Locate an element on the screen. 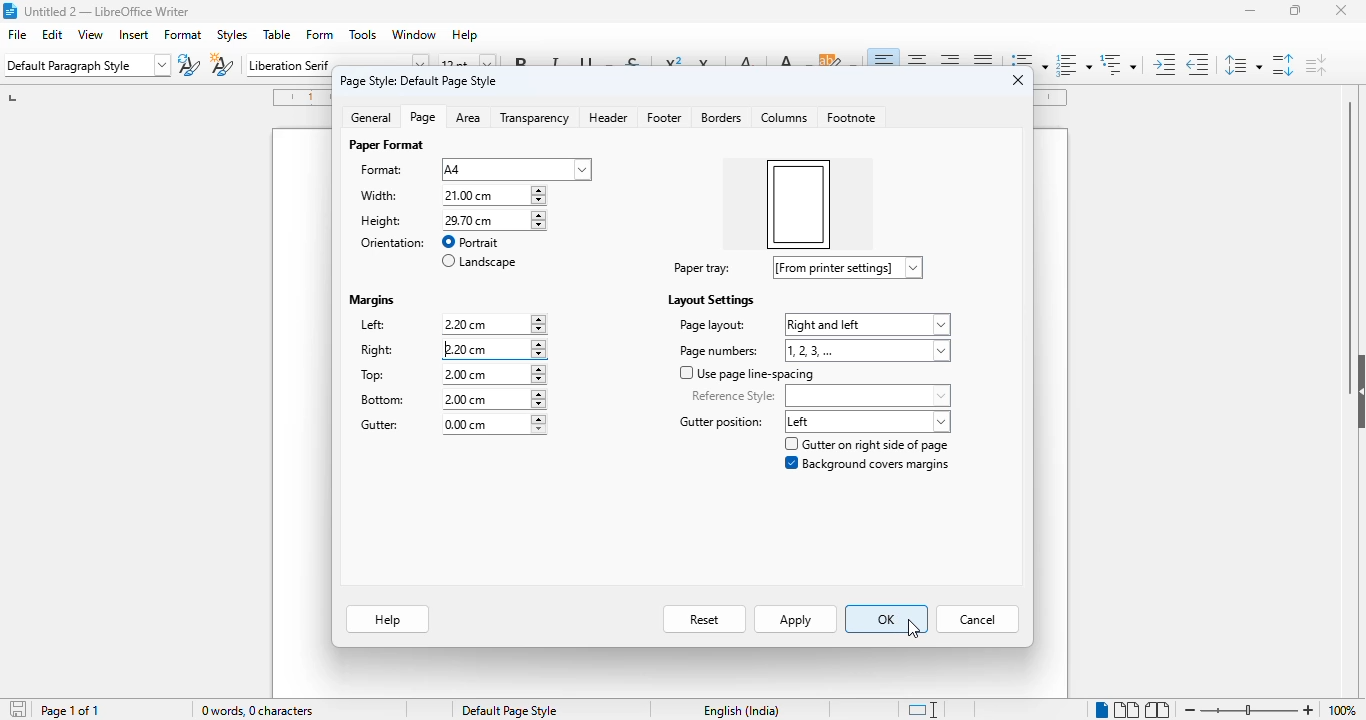 The width and height of the screenshot is (1366, 720). increment or decrement  is located at coordinates (543, 425).